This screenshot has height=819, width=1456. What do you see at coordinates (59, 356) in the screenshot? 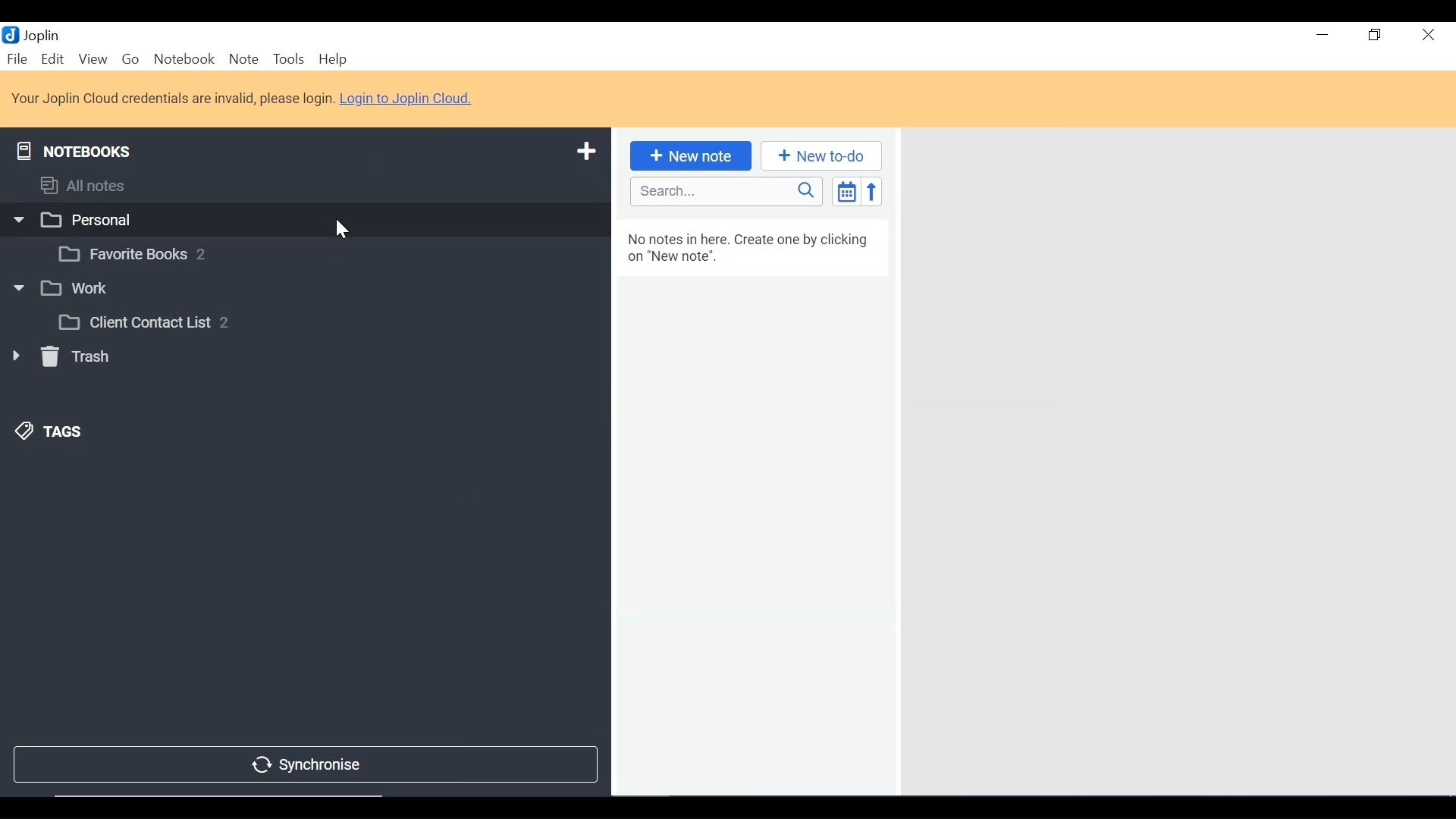
I see `Trash` at bounding box center [59, 356].